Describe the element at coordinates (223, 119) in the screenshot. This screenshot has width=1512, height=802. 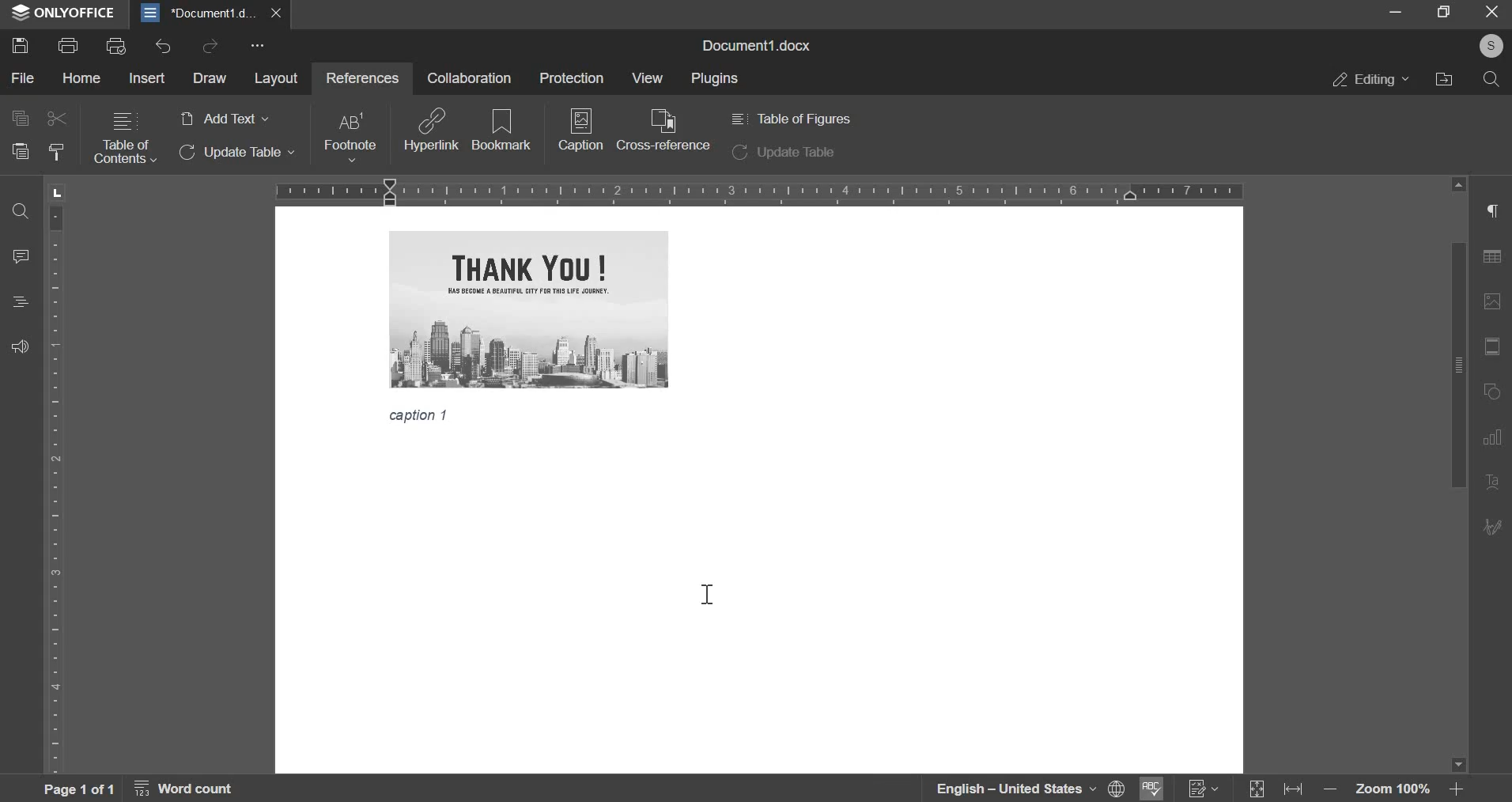
I see `add text` at that location.